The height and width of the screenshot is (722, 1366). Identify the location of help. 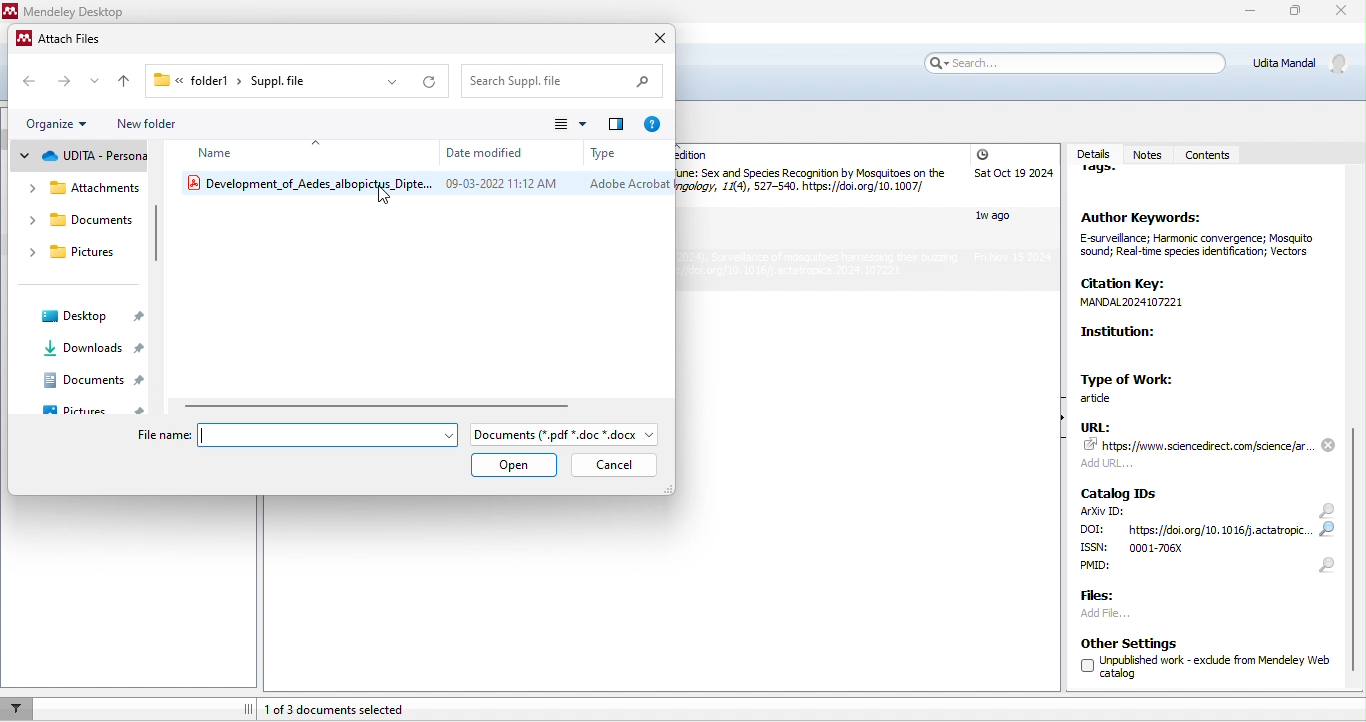
(649, 123).